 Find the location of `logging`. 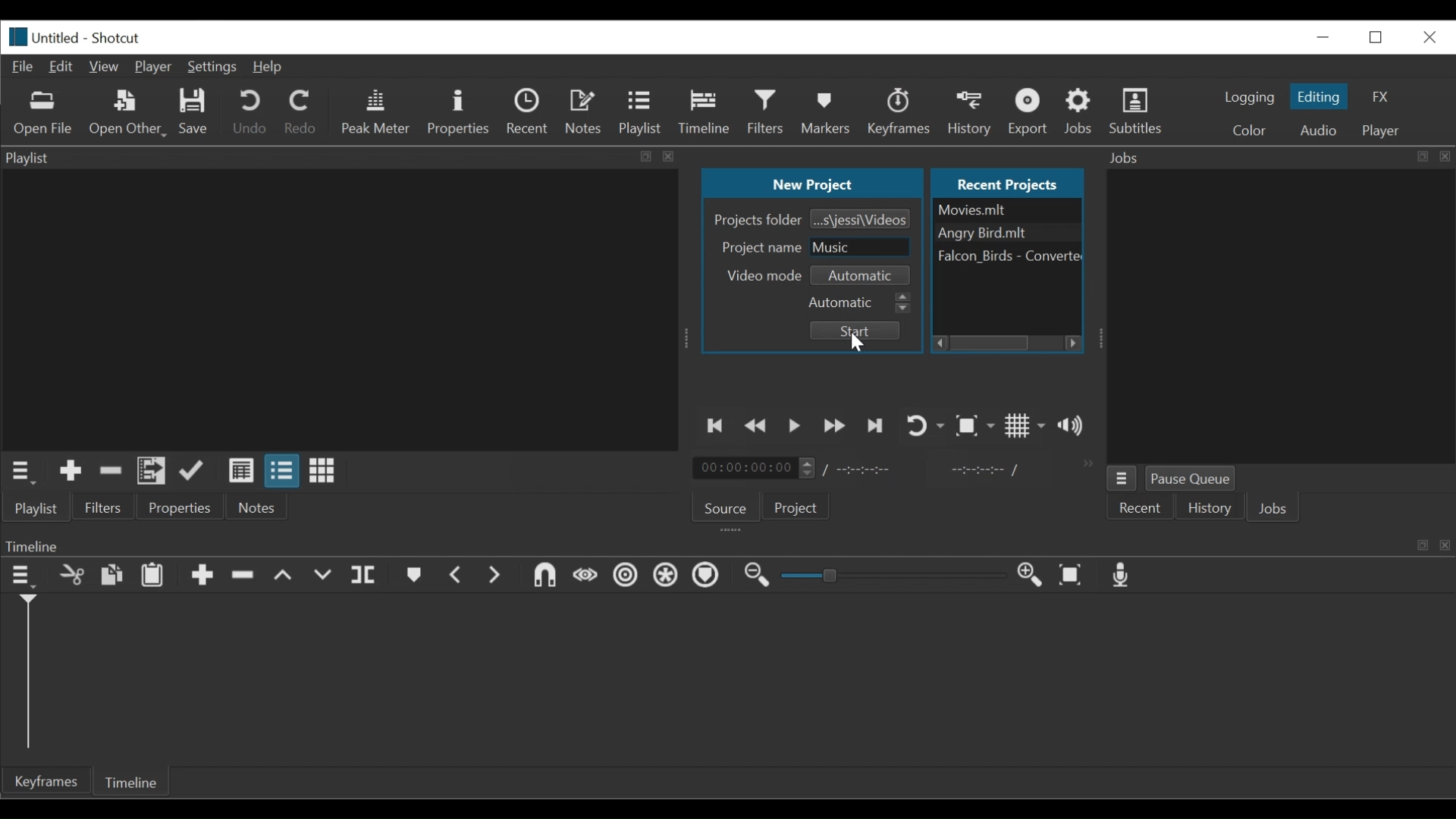

logging is located at coordinates (1253, 99).